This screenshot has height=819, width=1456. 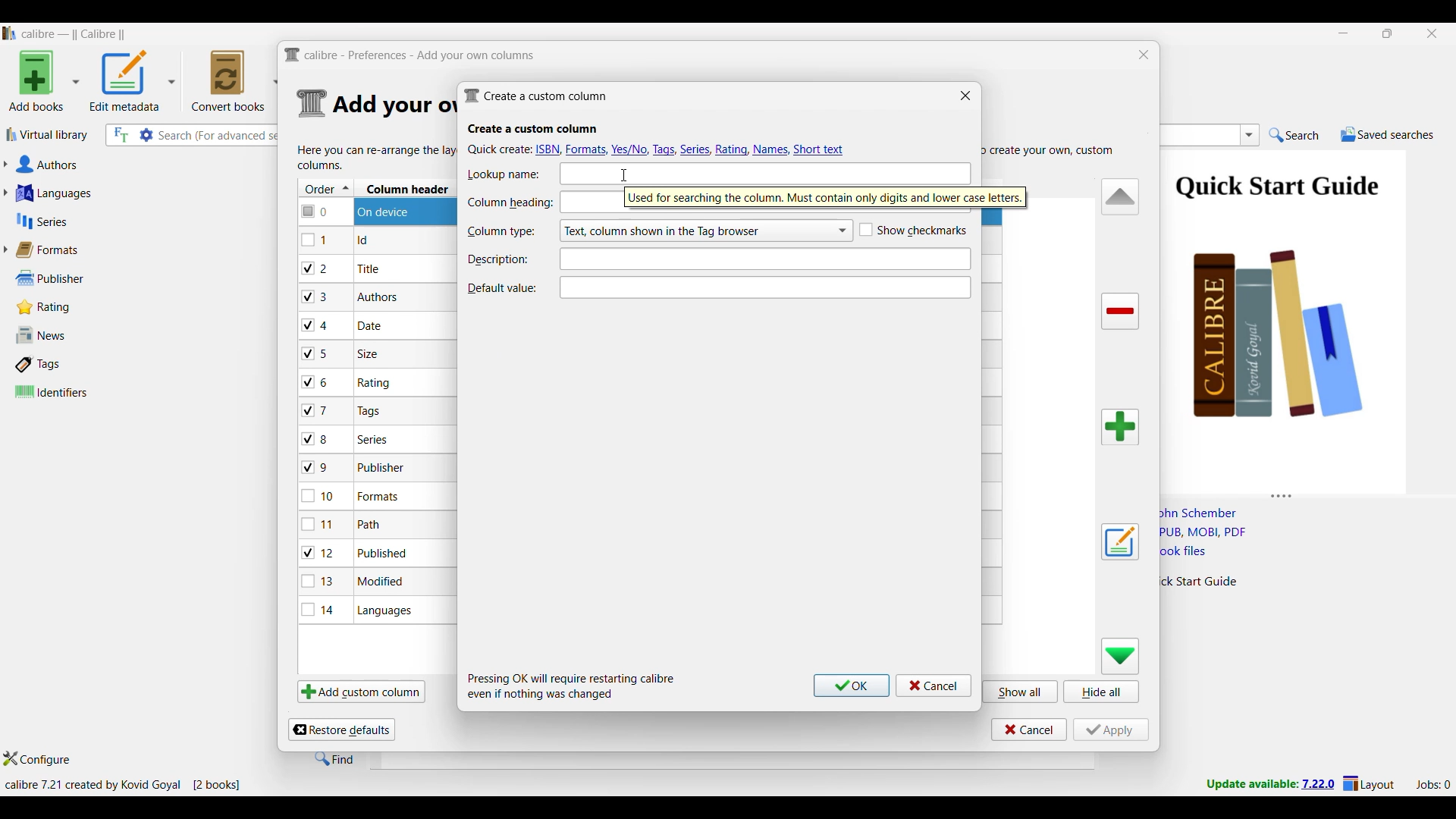 I want to click on Show all, so click(x=1021, y=691).